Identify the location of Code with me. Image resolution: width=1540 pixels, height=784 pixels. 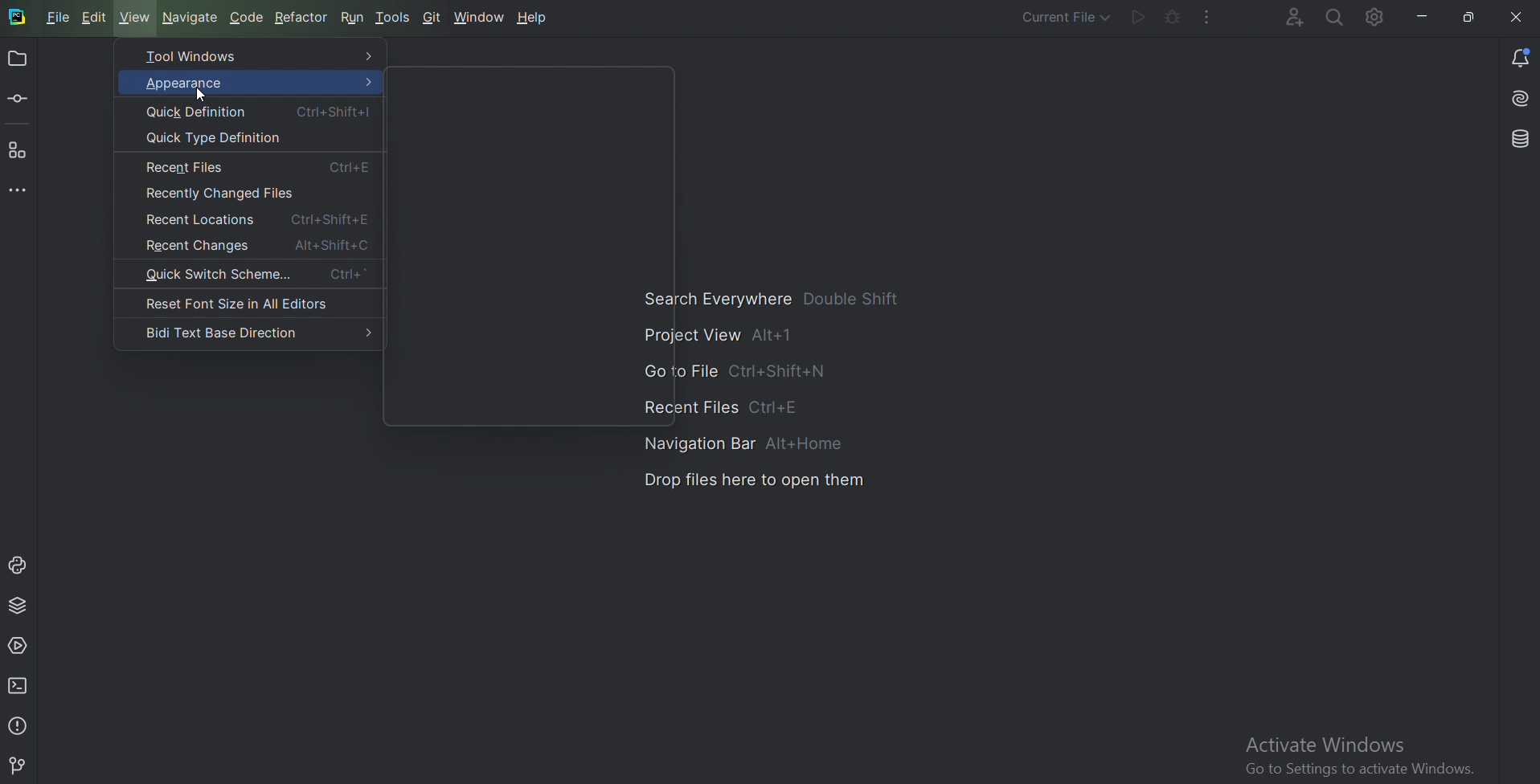
(1283, 18).